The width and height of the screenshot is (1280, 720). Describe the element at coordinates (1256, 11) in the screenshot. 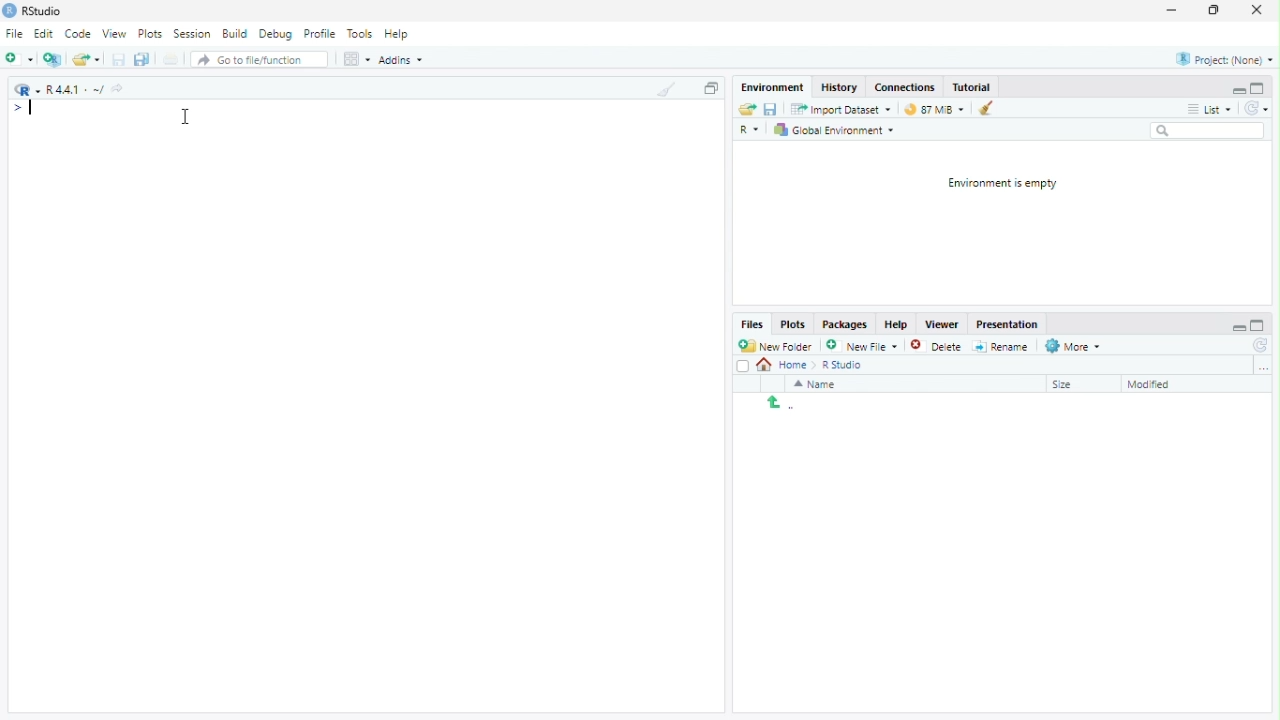

I see `Close` at that location.